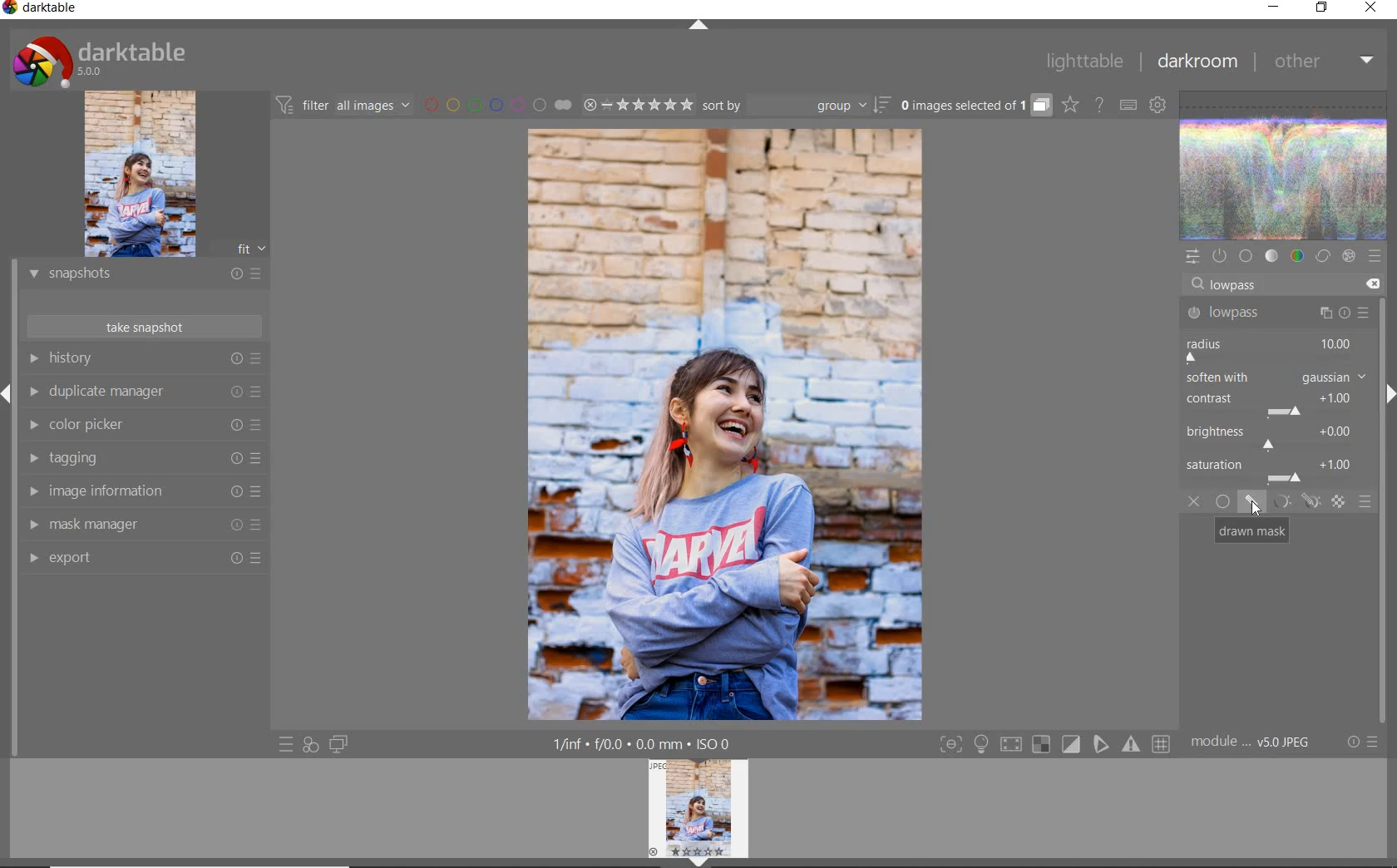 The image size is (1397, 868). What do you see at coordinates (144, 460) in the screenshot?
I see `tagging` at bounding box center [144, 460].